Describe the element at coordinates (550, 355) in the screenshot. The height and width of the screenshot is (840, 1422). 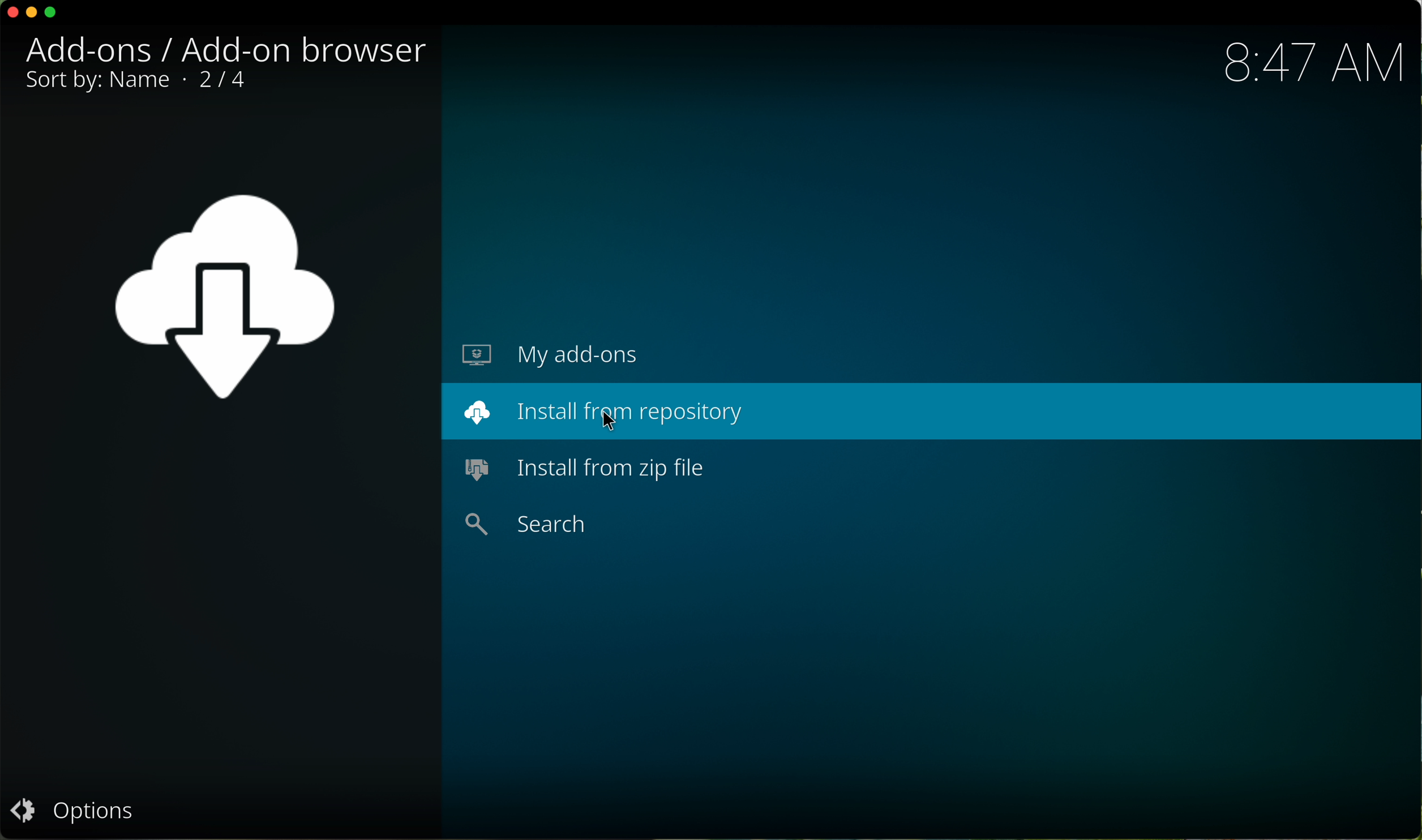
I see `my add-ons` at that location.